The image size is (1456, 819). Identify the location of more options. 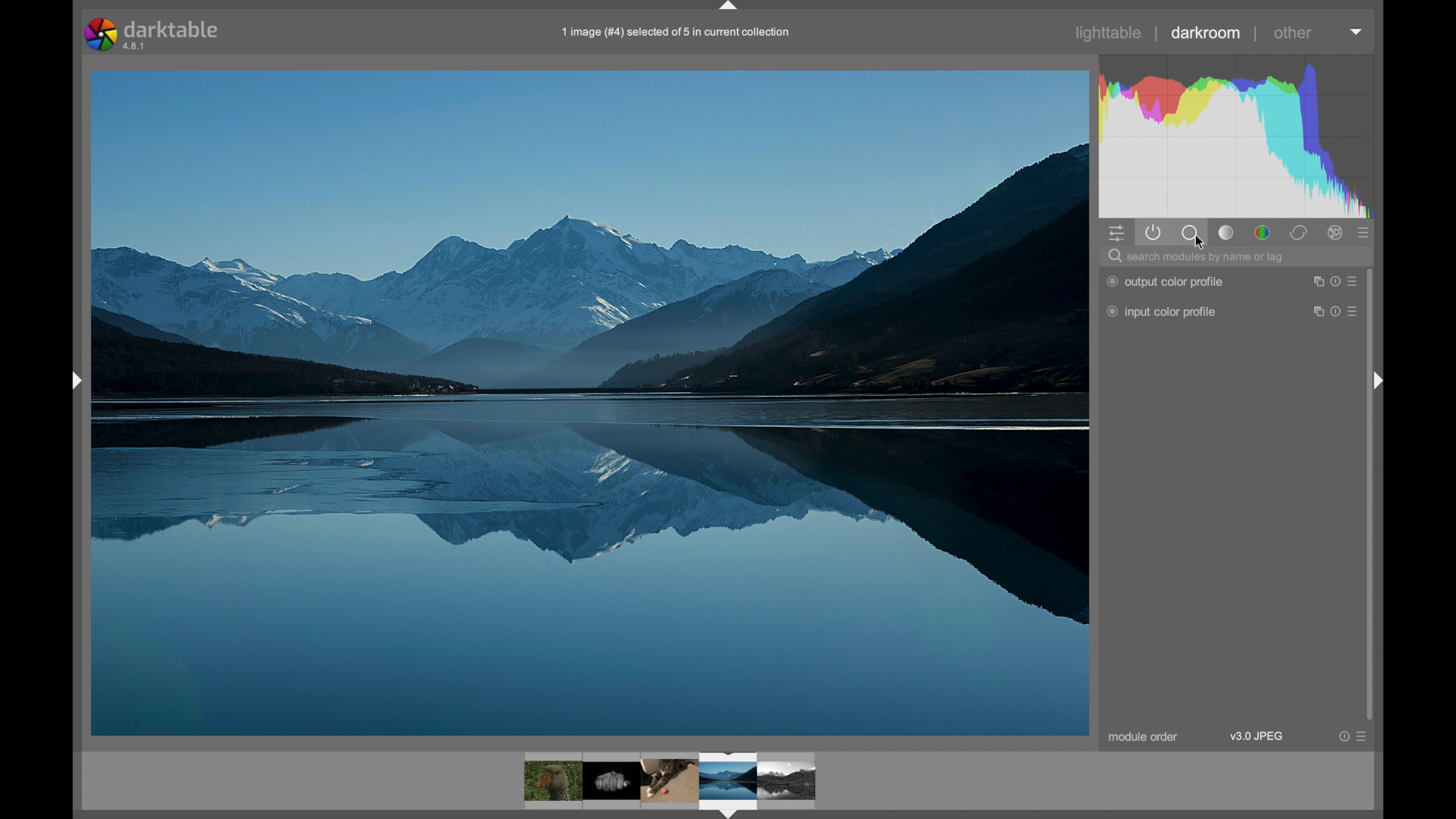
(1337, 312).